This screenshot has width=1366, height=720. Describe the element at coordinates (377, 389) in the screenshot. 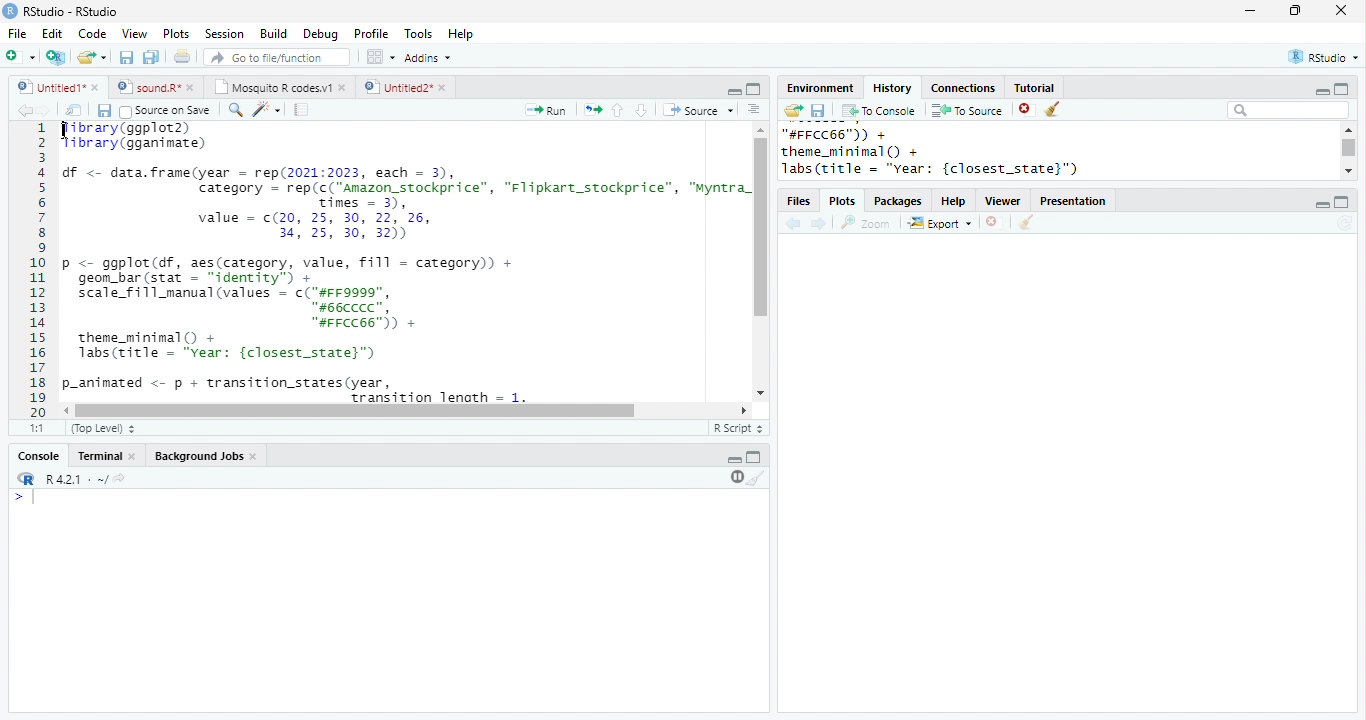

I see `p-animated <- p + transition_states(year,Trancition length = 1.` at that location.